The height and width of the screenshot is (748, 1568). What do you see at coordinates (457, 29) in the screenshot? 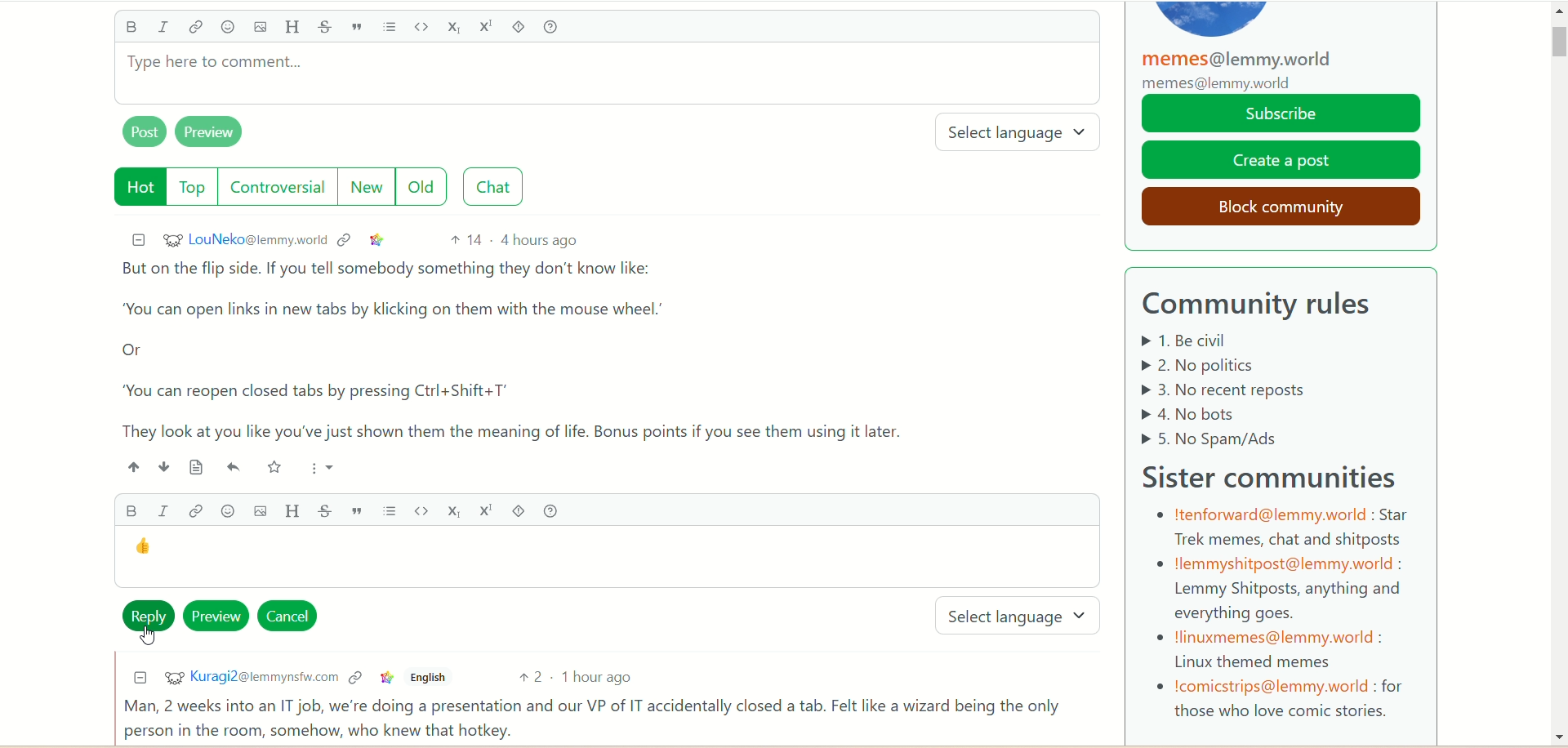
I see `subscript` at bounding box center [457, 29].